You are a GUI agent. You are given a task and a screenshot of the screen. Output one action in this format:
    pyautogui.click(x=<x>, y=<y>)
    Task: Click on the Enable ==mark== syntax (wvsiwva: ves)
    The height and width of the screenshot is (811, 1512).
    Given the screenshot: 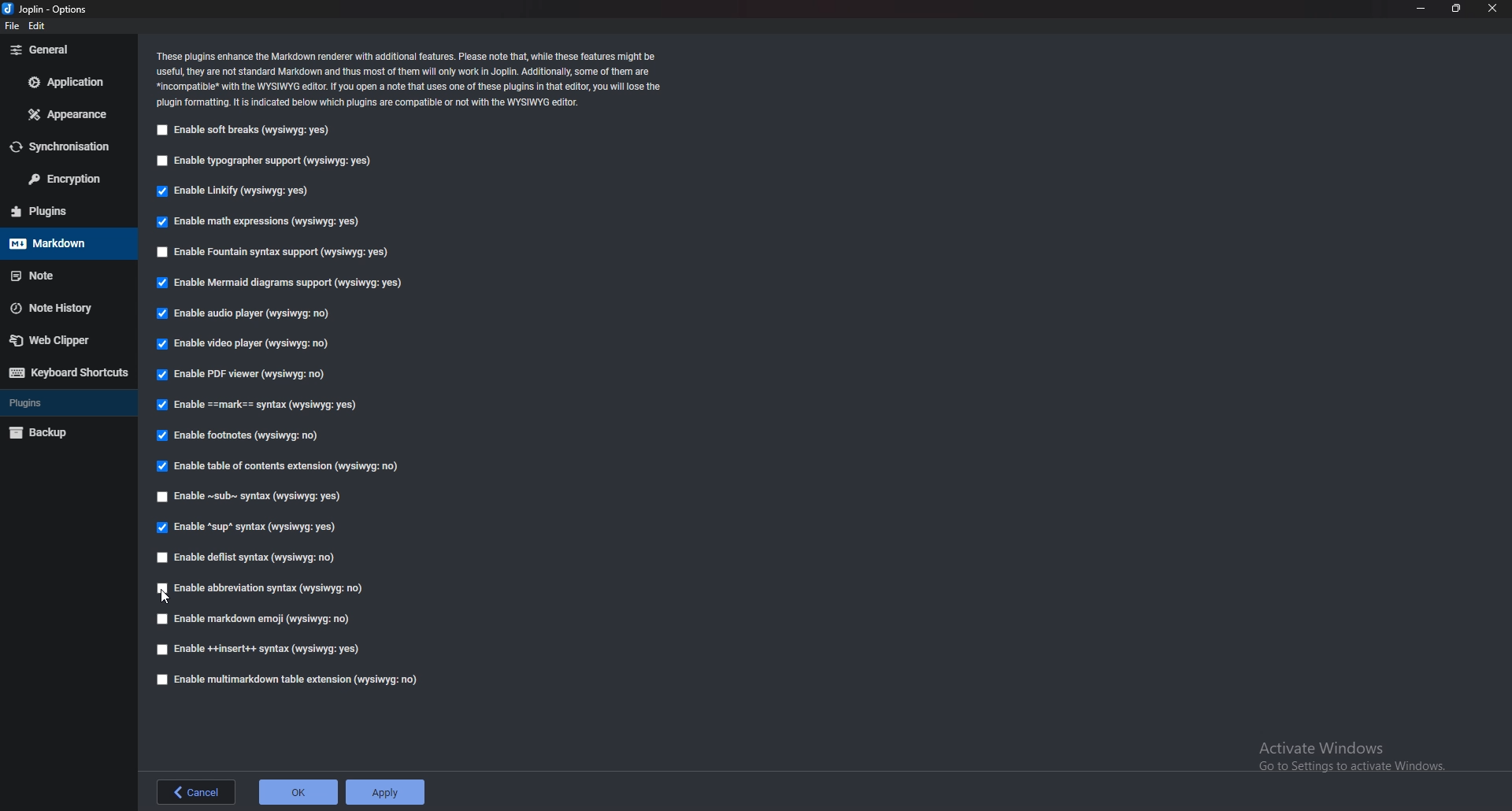 What is the action you would take?
    pyautogui.click(x=261, y=403)
    